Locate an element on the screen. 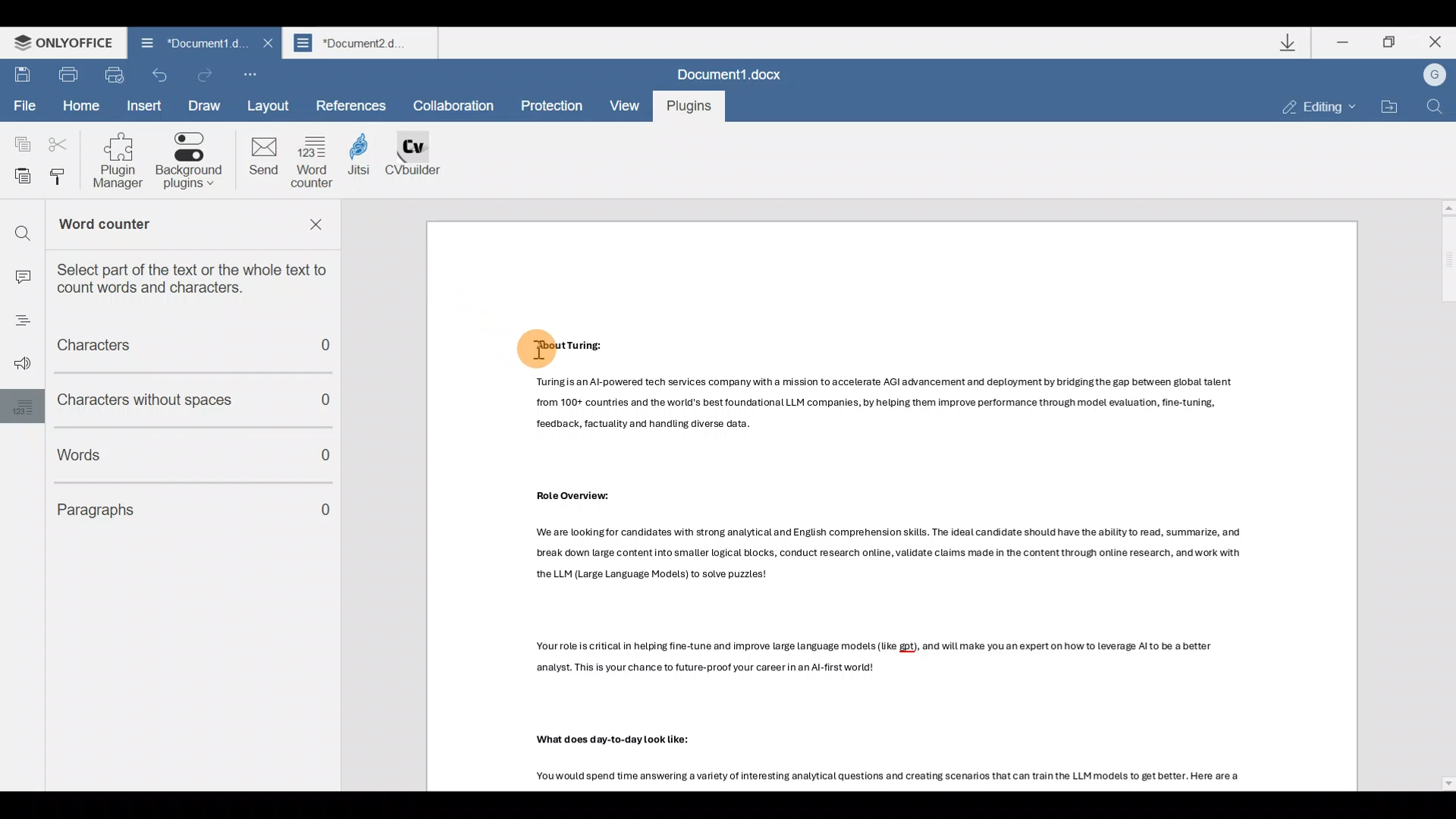 This screenshot has width=1456, height=819. Background plugins is located at coordinates (192, 162).